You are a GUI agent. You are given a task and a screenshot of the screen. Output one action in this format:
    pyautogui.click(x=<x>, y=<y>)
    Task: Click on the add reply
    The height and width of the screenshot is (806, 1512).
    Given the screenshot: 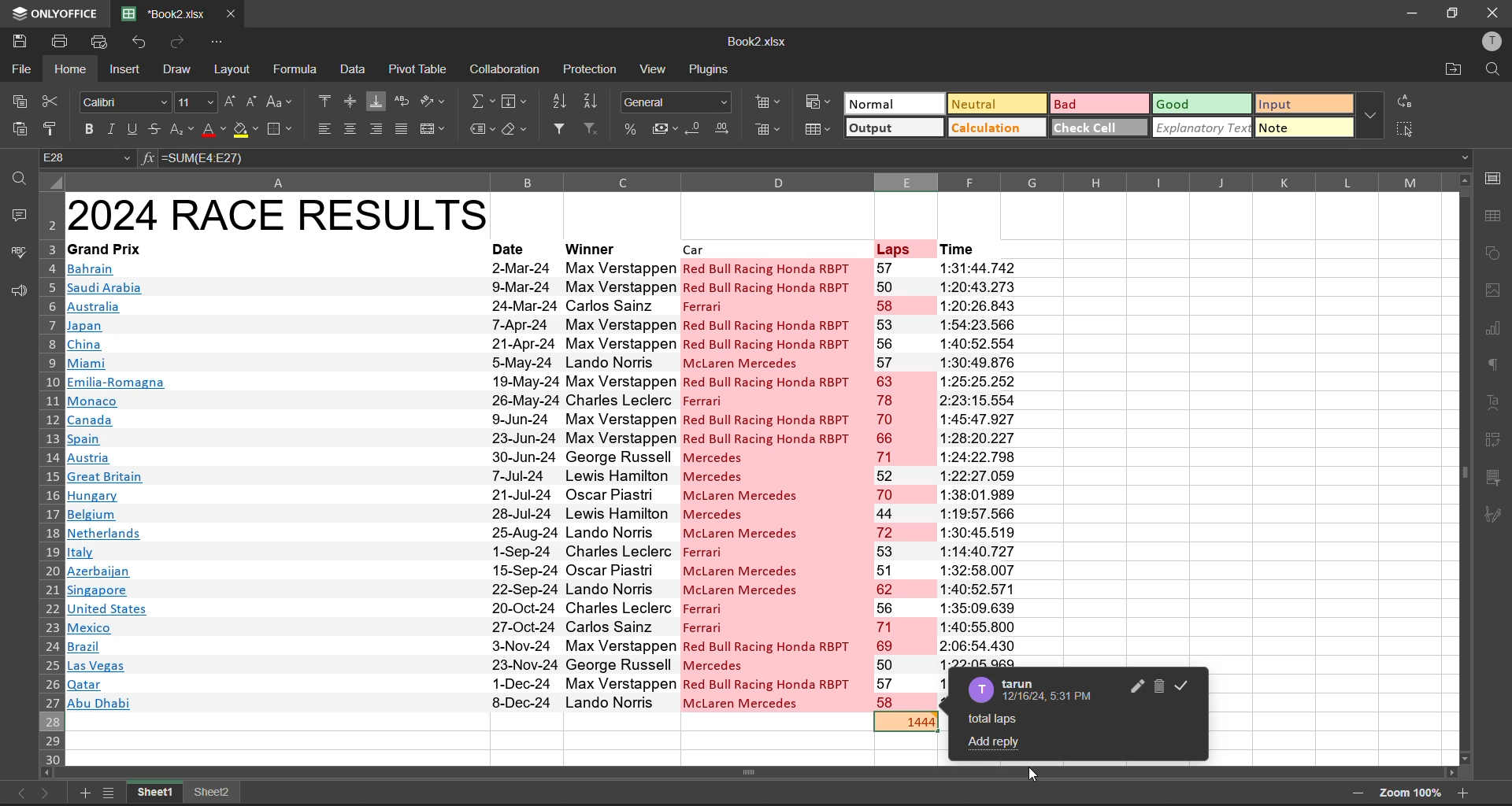 What is the action you would take?
    pyautogui.click(x=1002, y=744)
    